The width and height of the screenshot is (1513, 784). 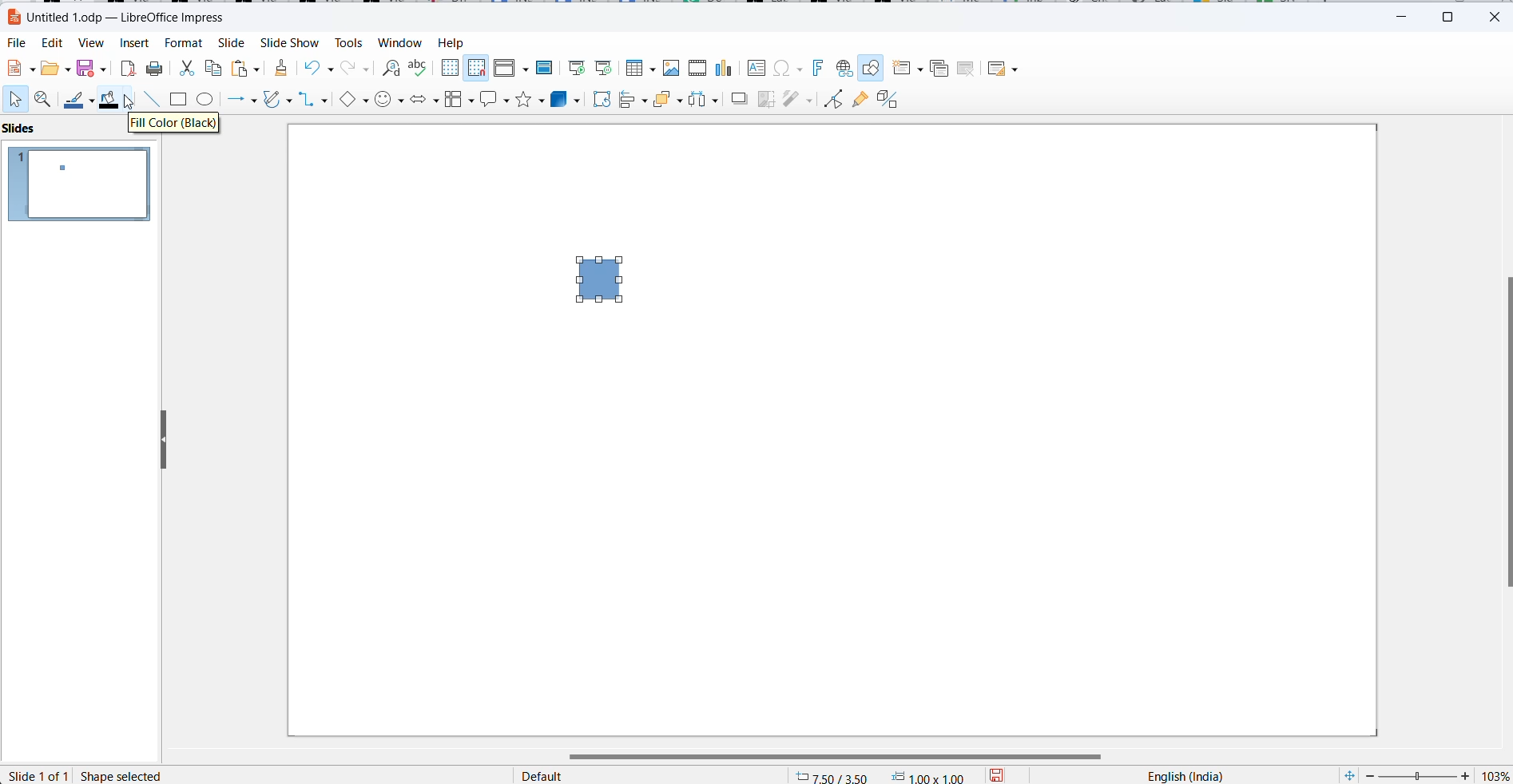 I want to click on zoom percentage, so click(x=1494, y=775).